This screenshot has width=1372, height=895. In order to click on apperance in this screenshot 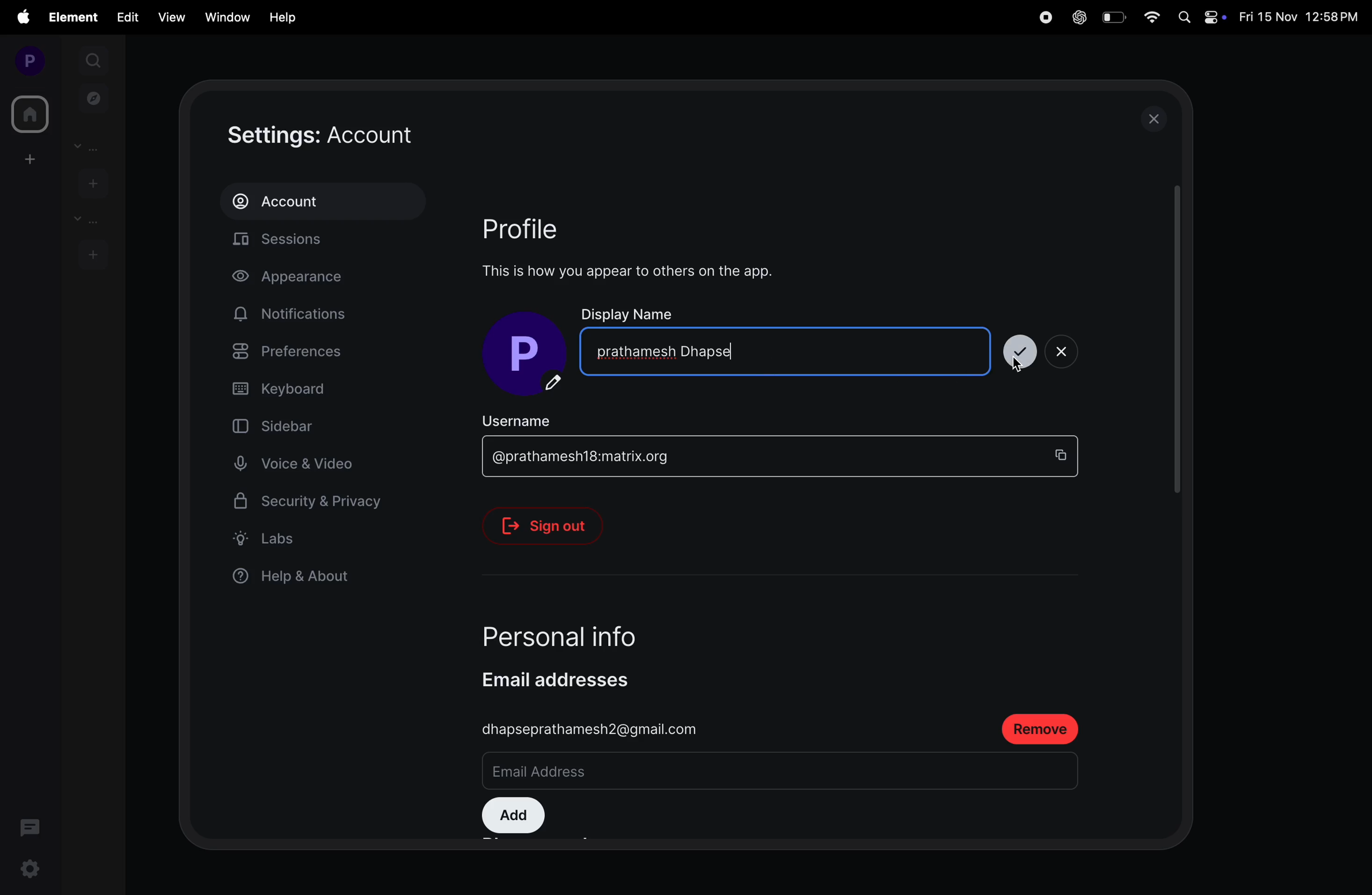, I will do `click(305, 279)`.